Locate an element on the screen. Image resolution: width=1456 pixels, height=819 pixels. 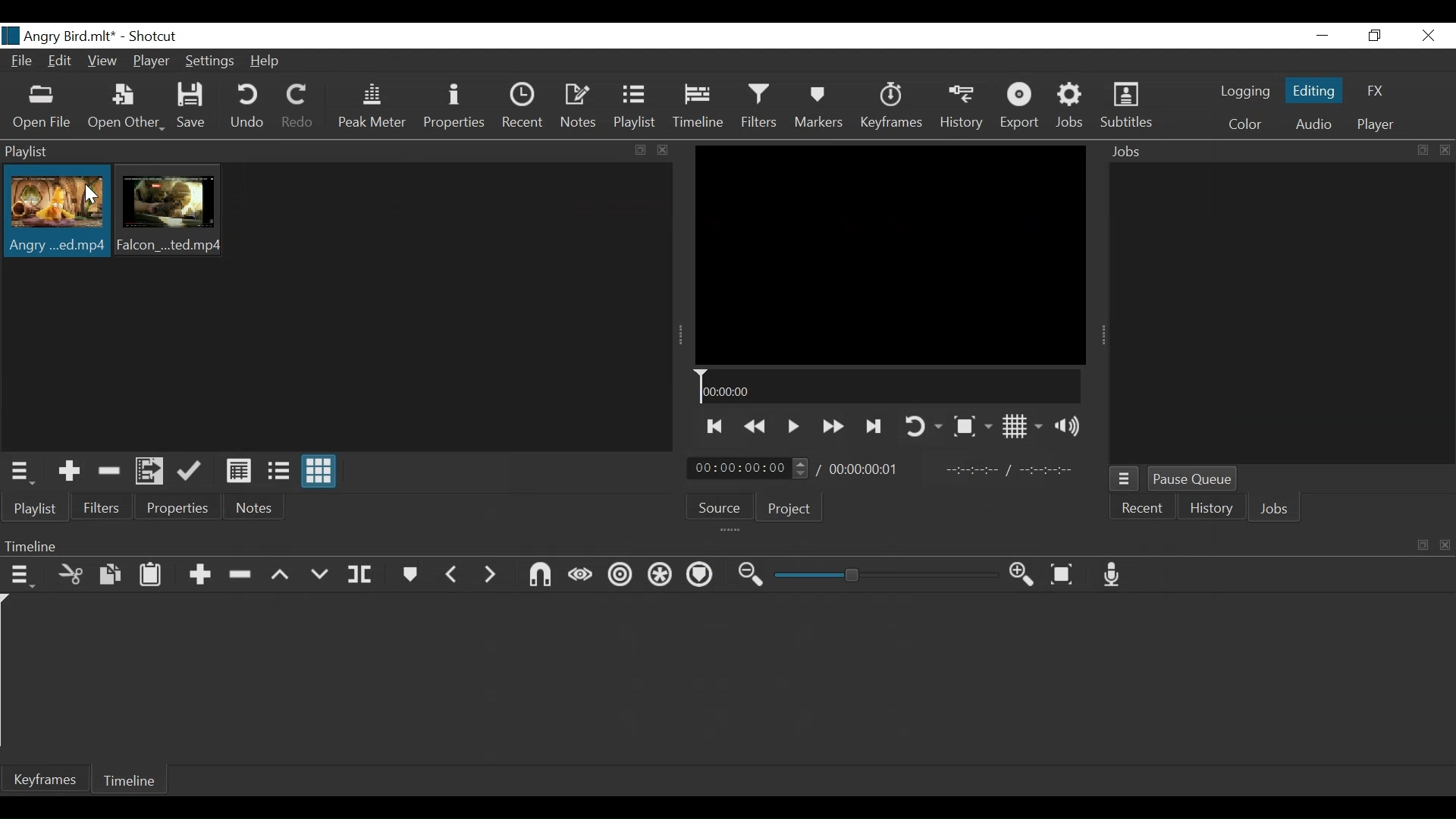
Append is located at coordinates (202, 576).